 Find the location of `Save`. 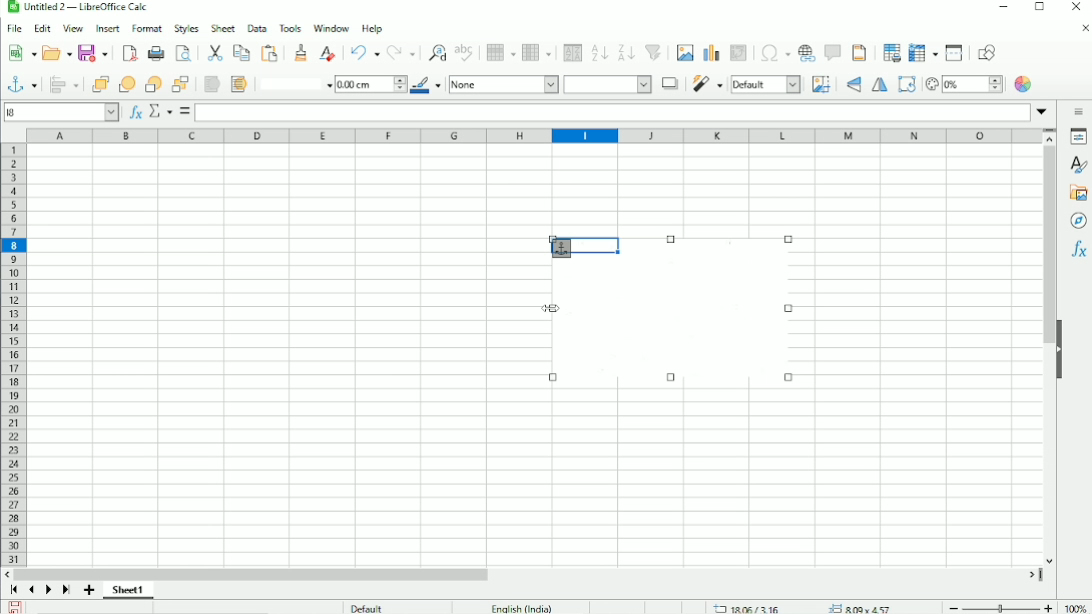

Save is located at coordinates (93, 54).